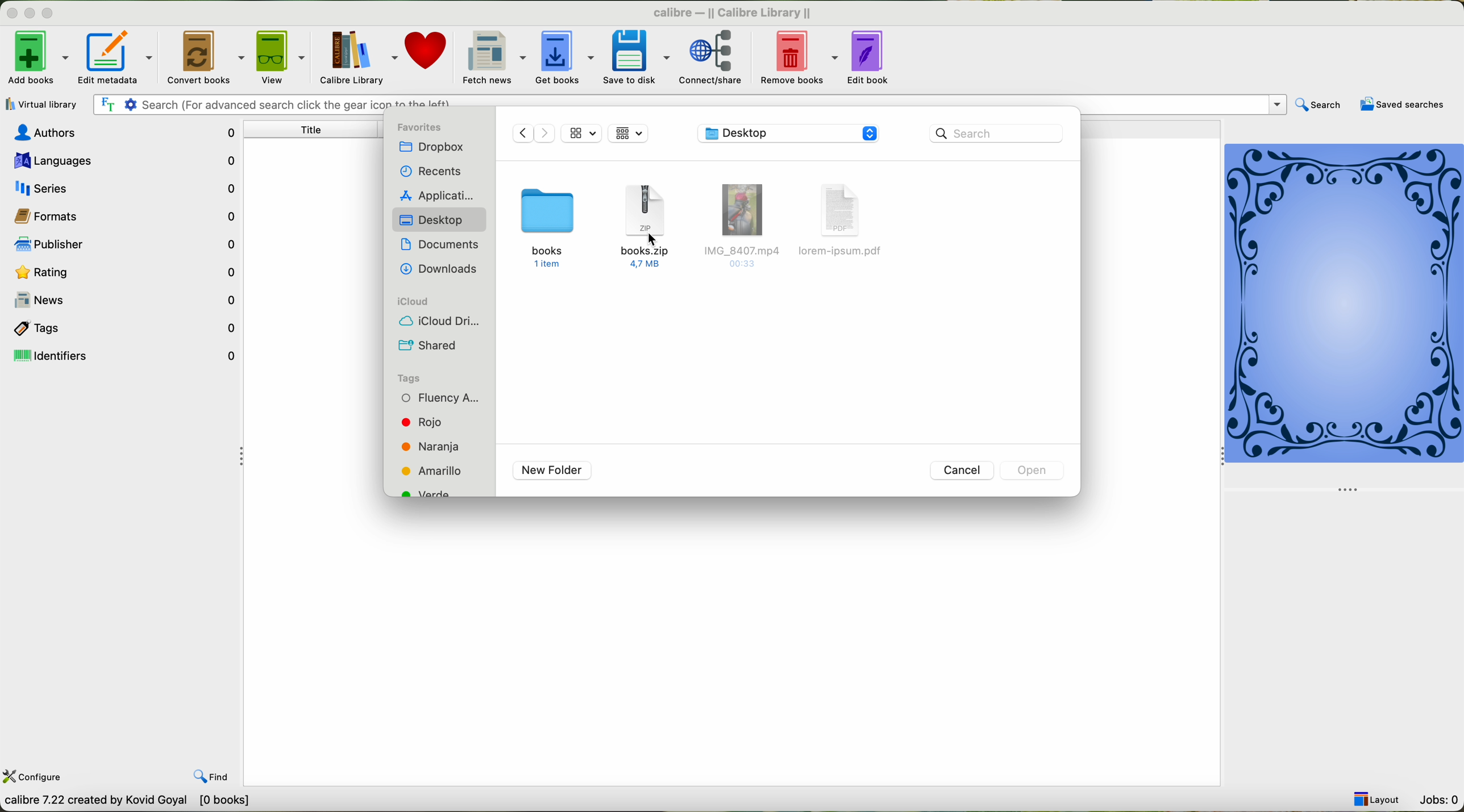 Image resolution: width=1464 pixels, height=812 pixels. What do you see at coordinates (632, 135) in the screenshot?
I see `icon` at bounding box center [632, 135].